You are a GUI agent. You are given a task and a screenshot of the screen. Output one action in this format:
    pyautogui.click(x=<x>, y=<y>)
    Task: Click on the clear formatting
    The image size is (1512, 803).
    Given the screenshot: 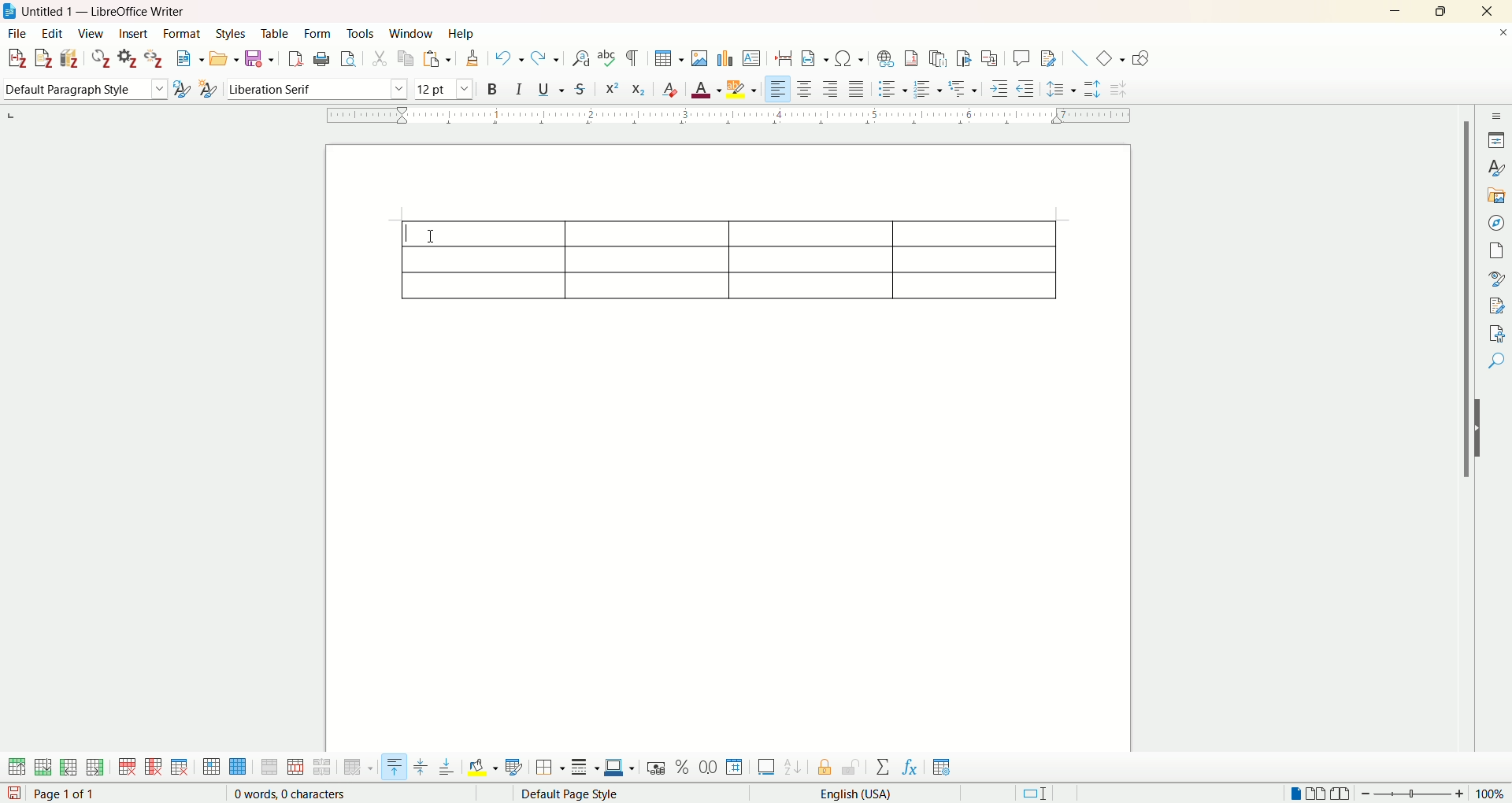 What is the action you would take?
    pyautogui.click(x=669, y=90)
    